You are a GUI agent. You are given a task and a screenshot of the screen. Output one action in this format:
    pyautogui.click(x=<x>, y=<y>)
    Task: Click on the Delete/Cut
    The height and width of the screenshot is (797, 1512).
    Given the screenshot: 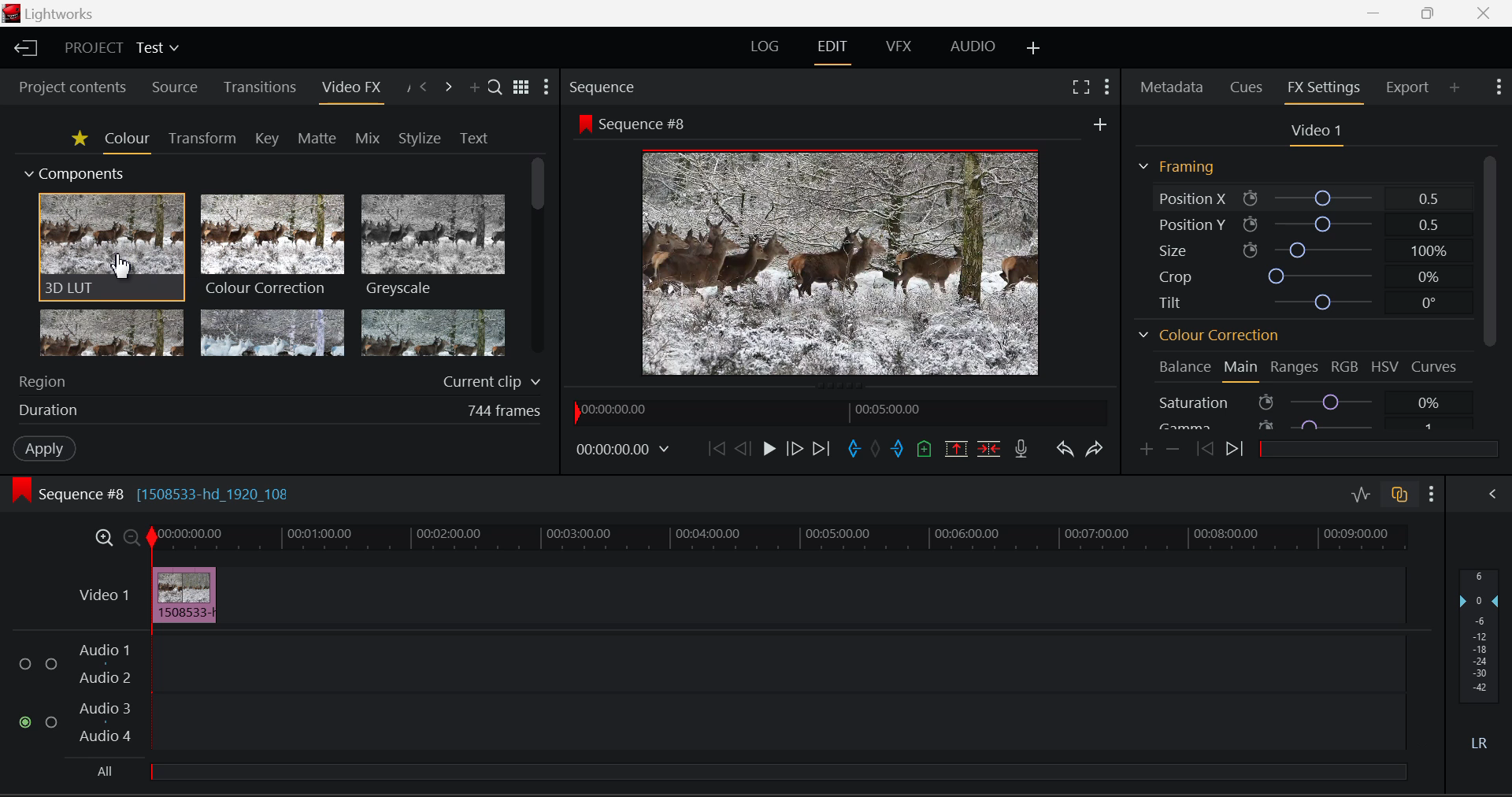 What is the action you would take?
    pyautogui.click(x=991, y=449)
    